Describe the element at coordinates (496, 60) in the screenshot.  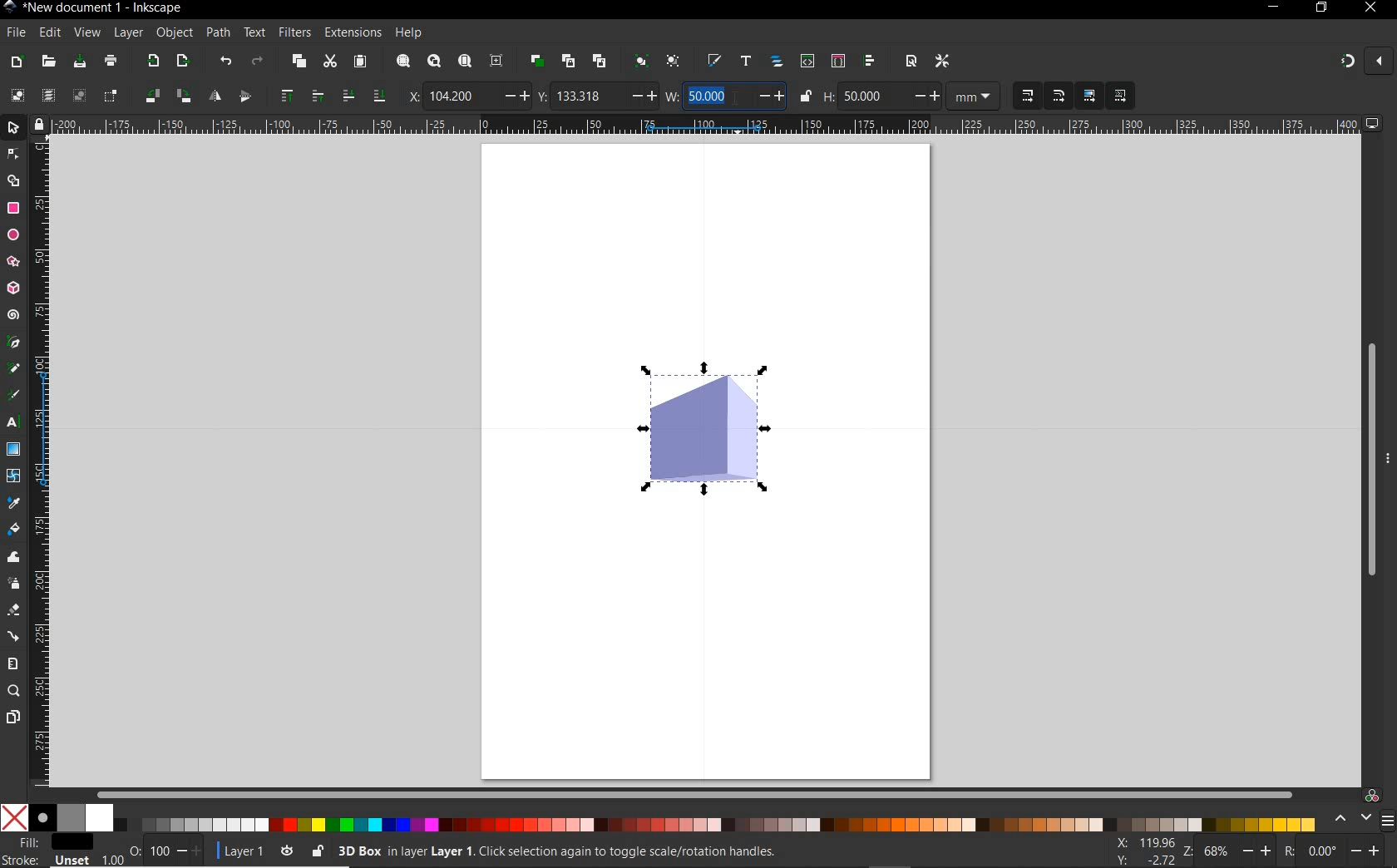
I see `zoom center page` at that location.